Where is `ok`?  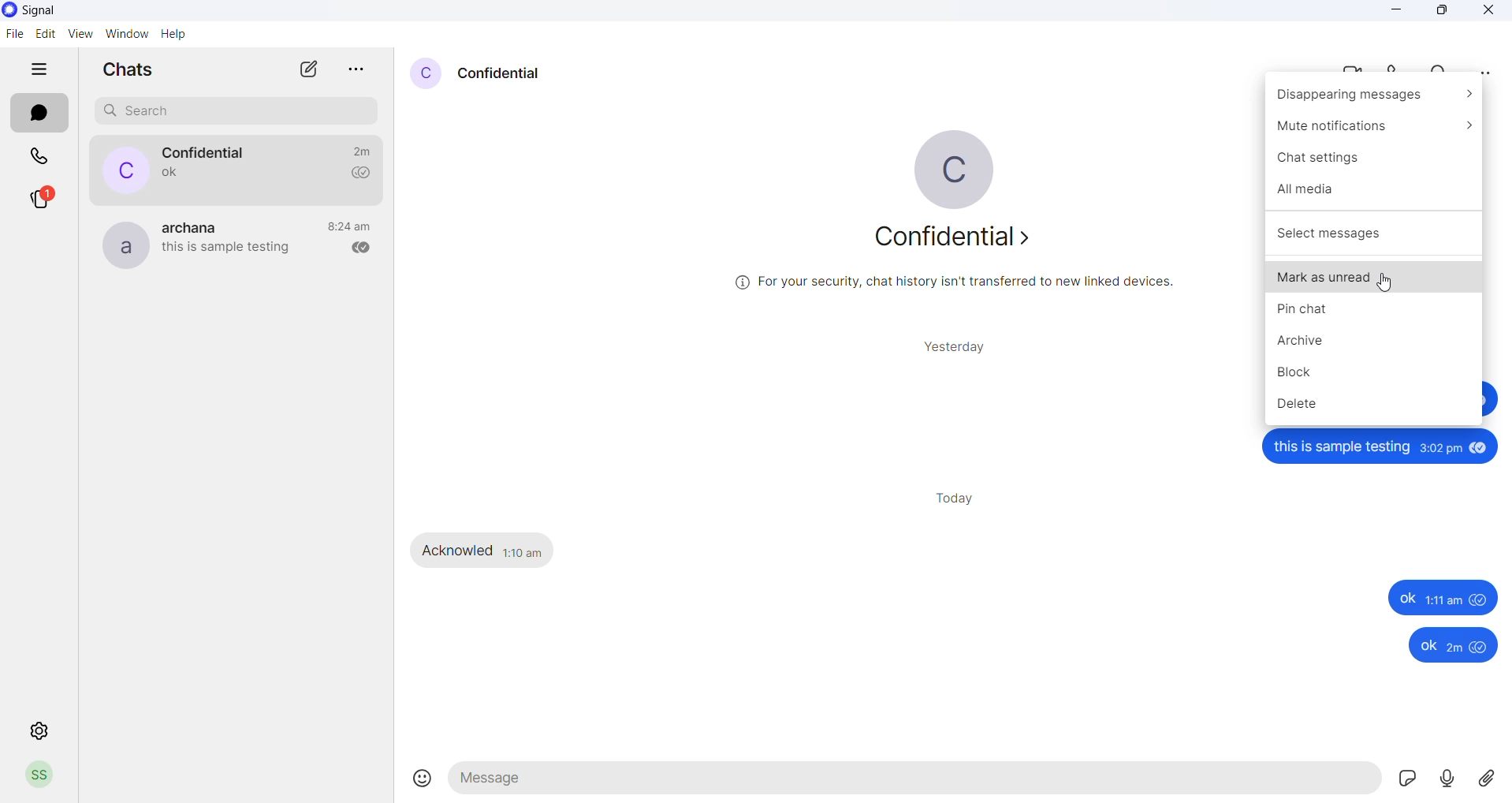 ok is located at coordinates (1436, 646).